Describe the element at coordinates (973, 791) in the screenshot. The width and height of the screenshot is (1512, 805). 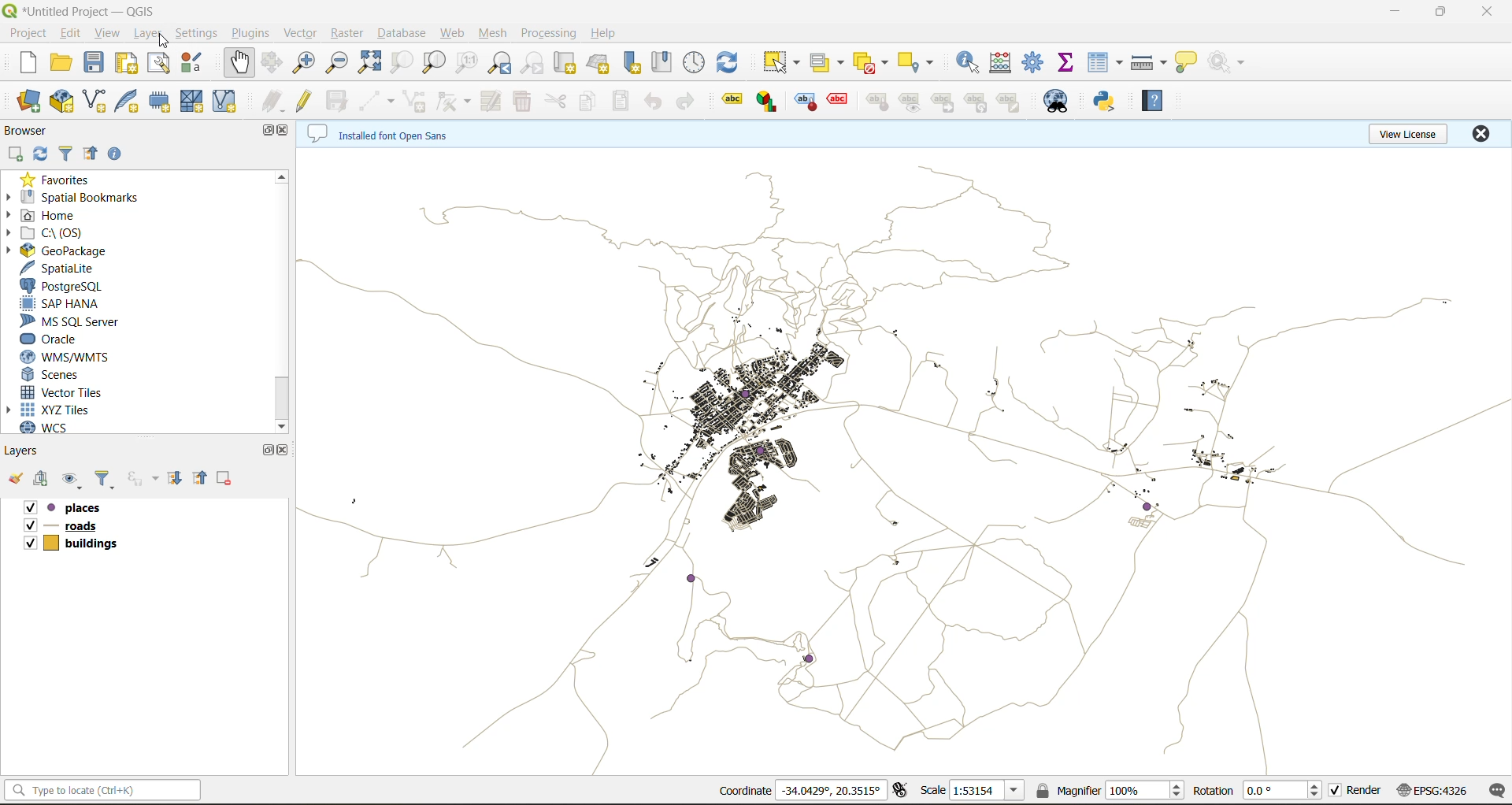
I see `scale` at that location.